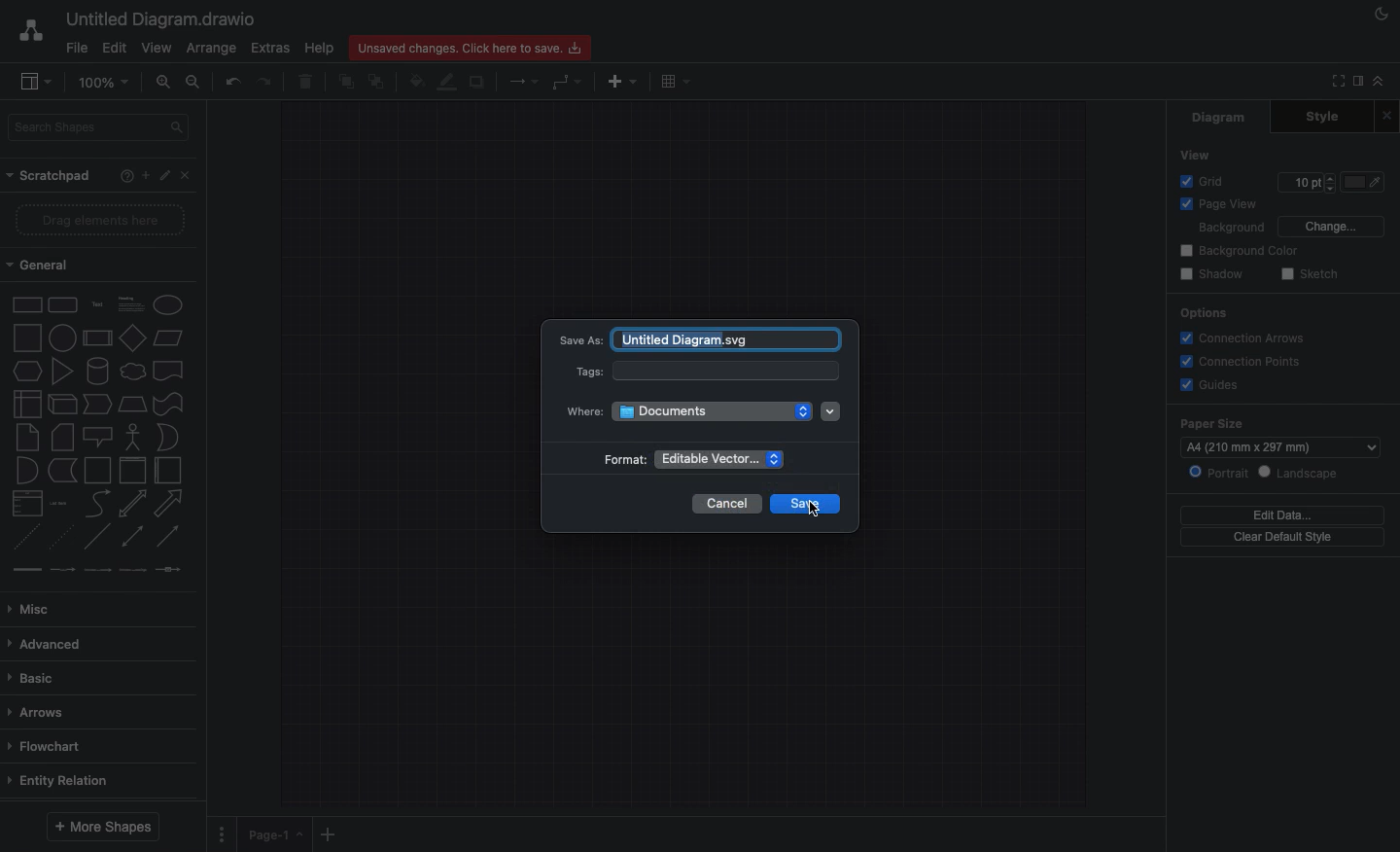  Describe the element at coordinates (1205, 313) in the screenshot. I see `Options` at that location.